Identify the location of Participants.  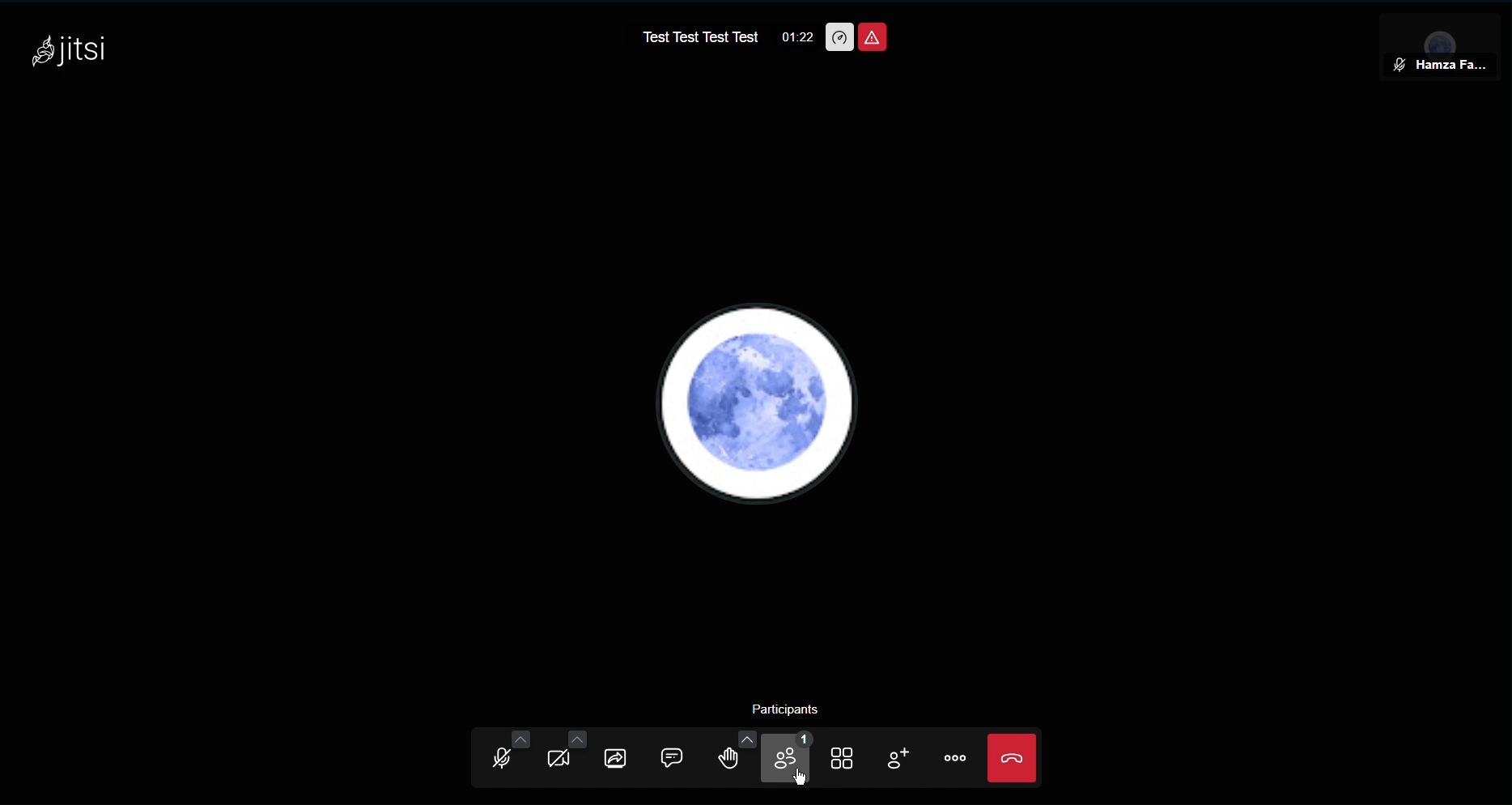
(792, 760).